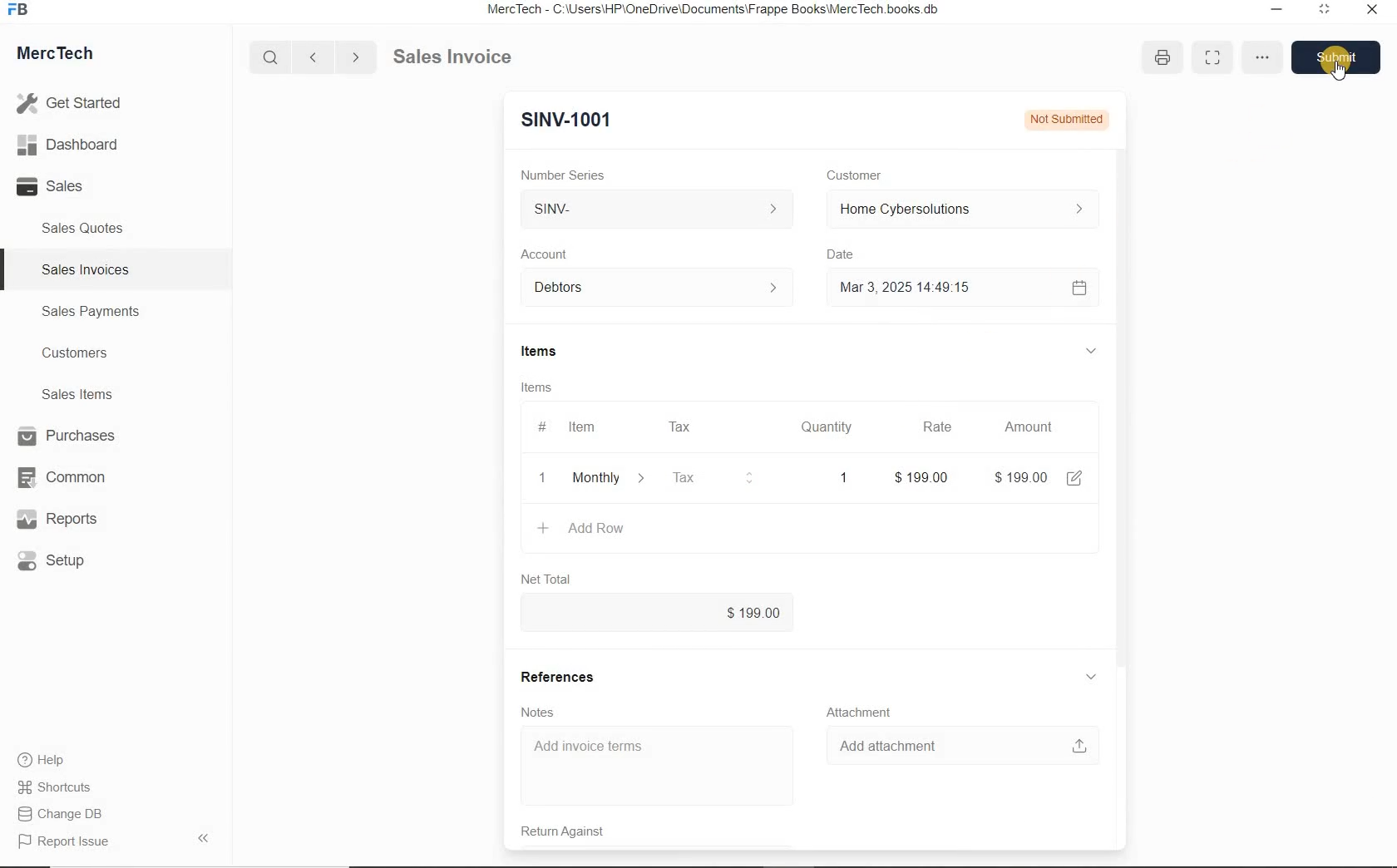 This screenshot has width=1397, height=868. Describe the element at coordinates (63, 57) in the screenshot. I see `MercTech` at that location.